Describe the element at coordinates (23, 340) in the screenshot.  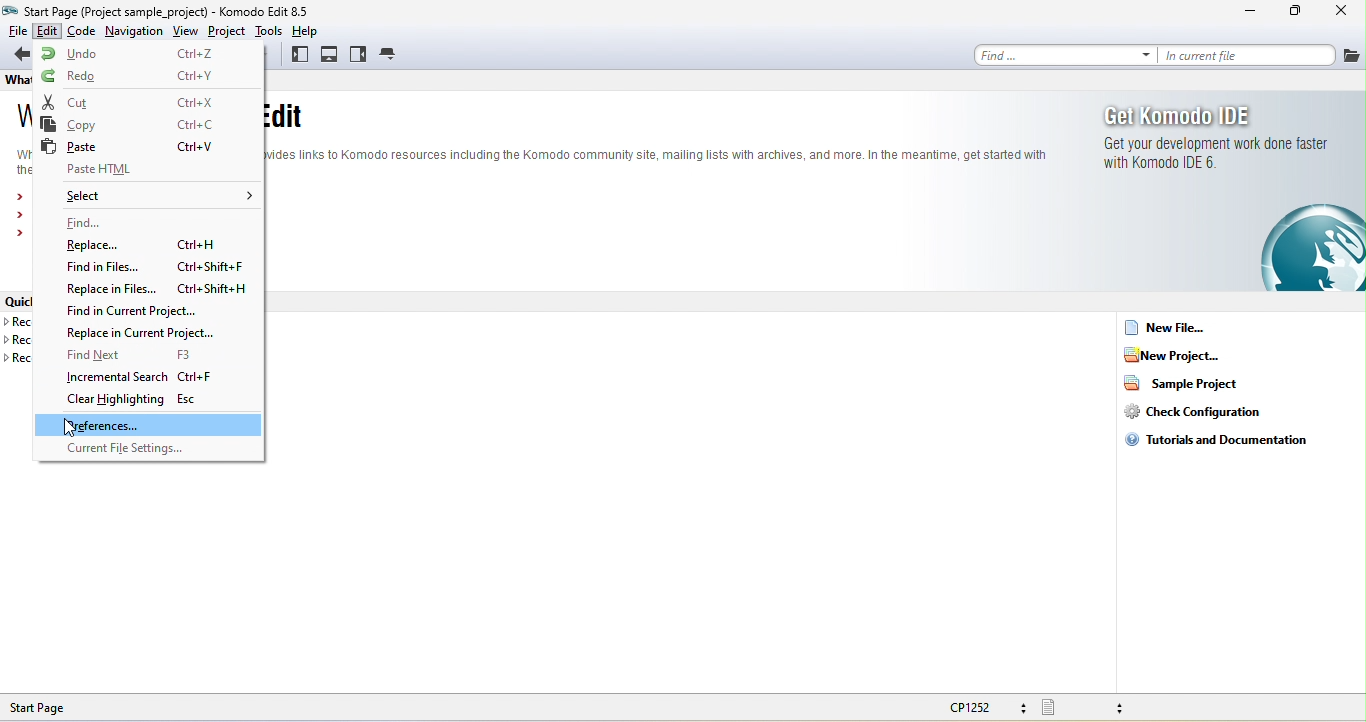
I see `recent files` at that location.